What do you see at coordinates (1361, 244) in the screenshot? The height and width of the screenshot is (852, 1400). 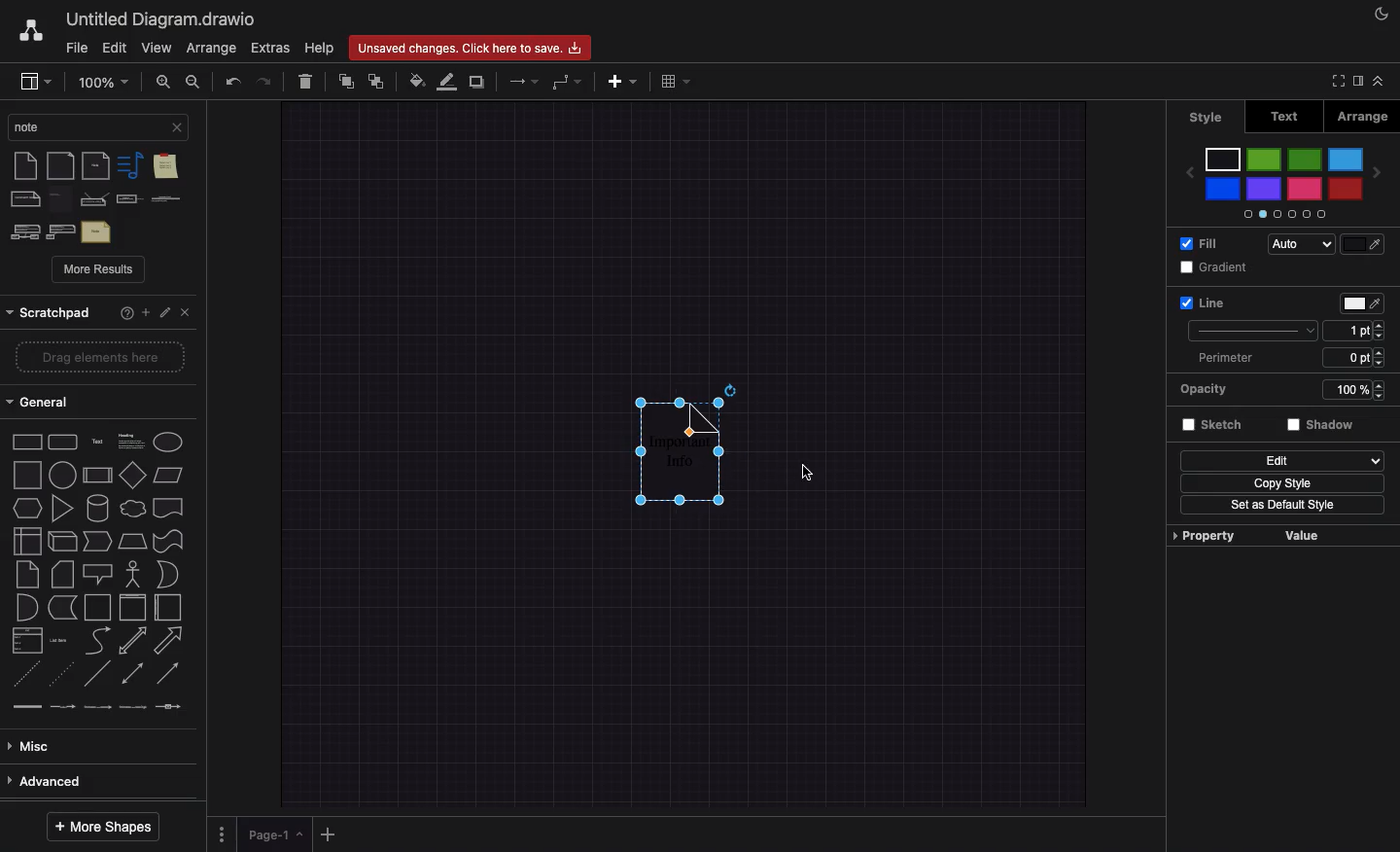 I see `fill color` at bounding box center [1361, 244].